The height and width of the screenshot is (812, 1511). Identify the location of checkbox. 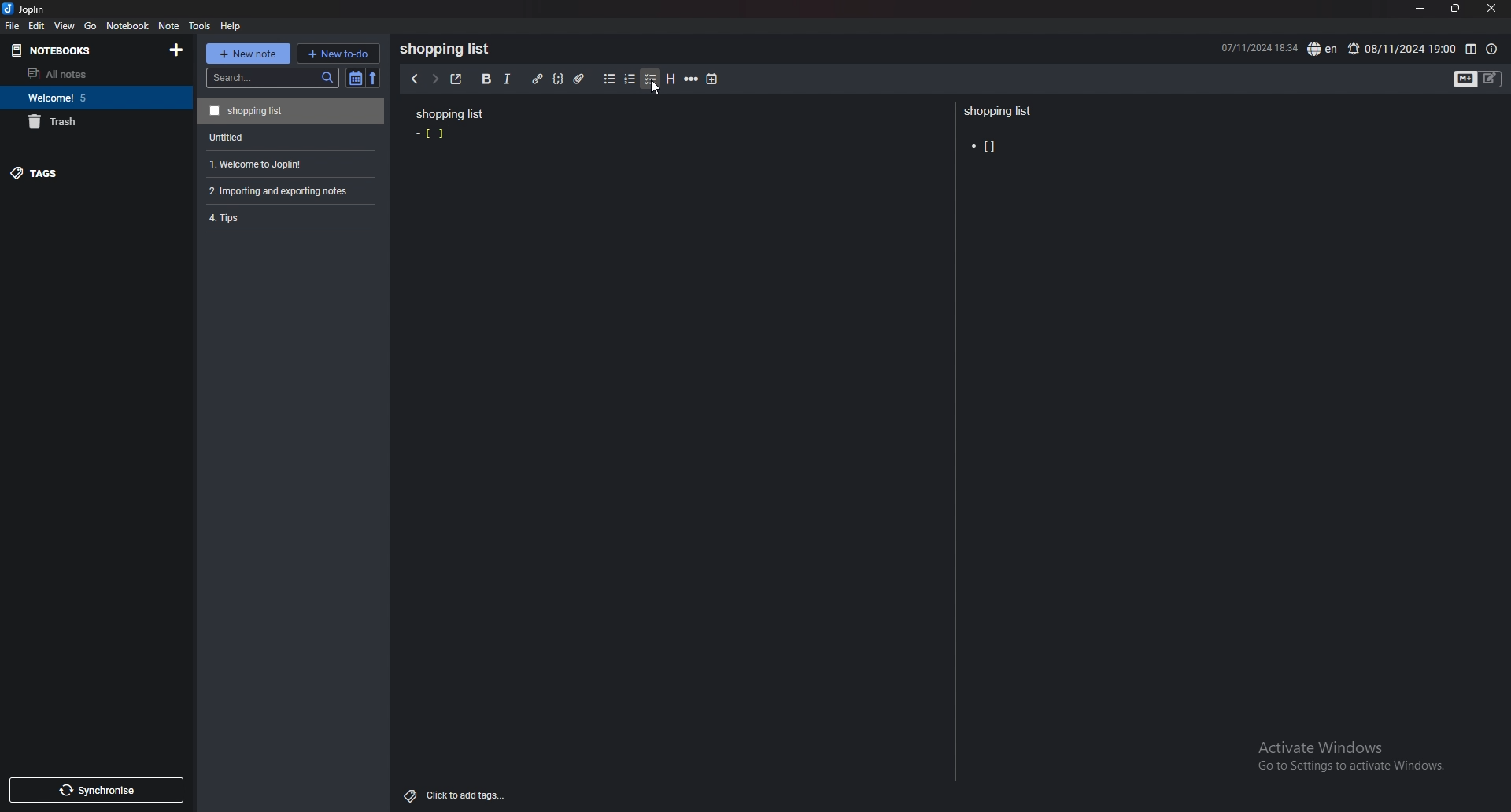
(434, 134).